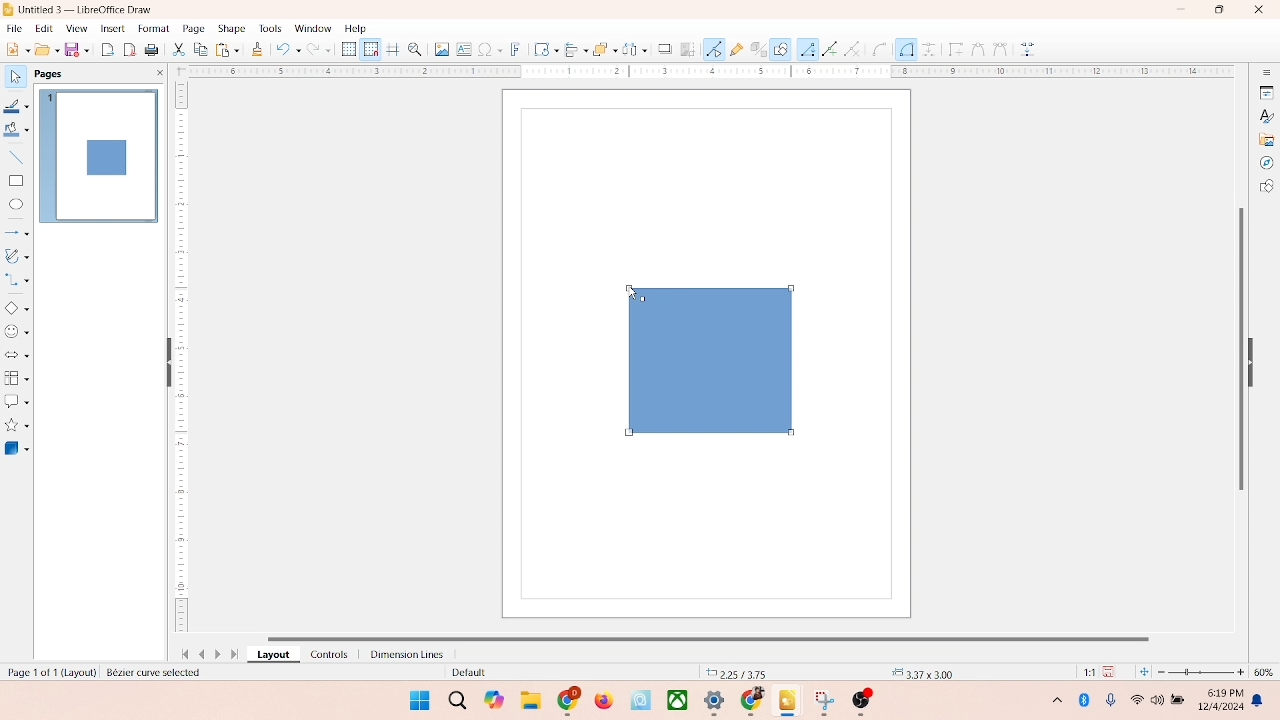 The height and width of the screenshot is (720, 1280). I want to click on Cut tool, so click(973, 48).